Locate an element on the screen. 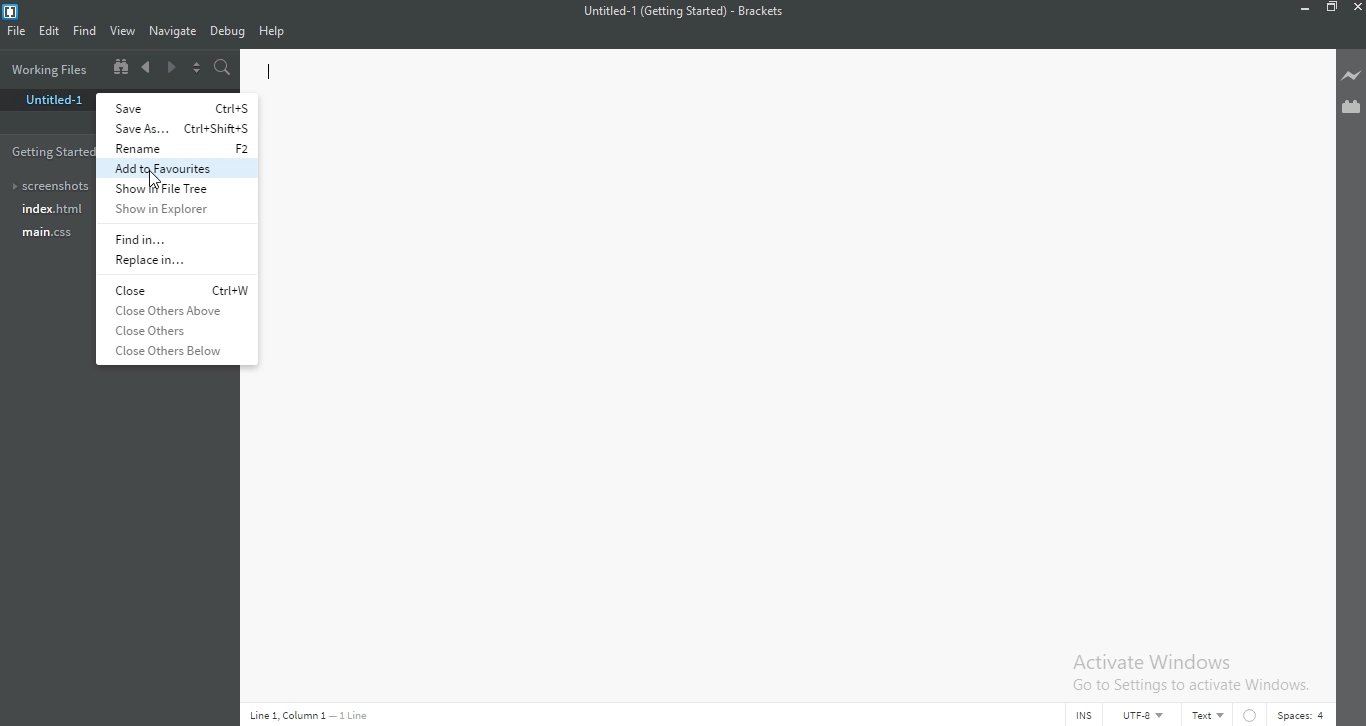 The image size is (1366, 726). Line code data is located at coordinates (311, 717).